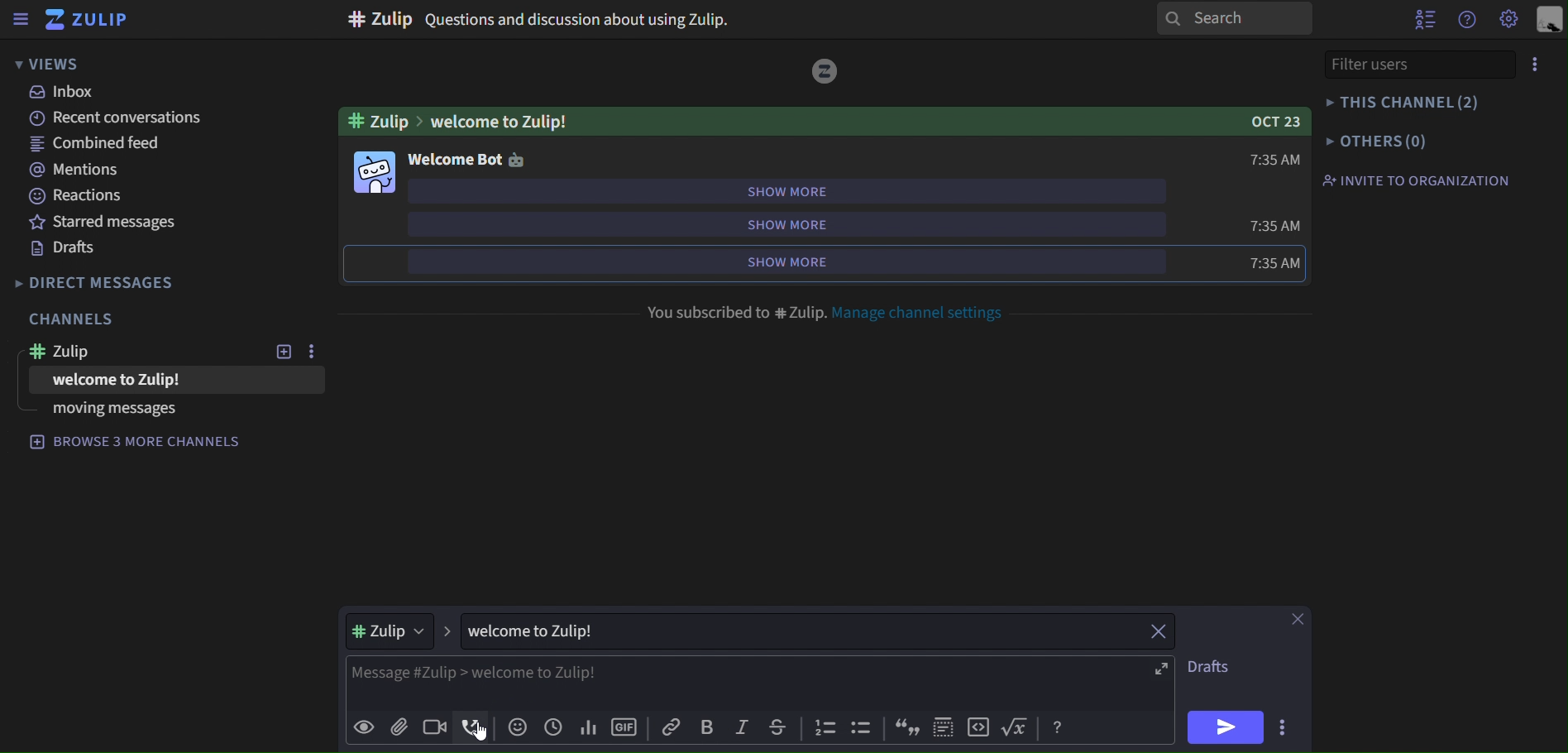 The width and height of the screenshot is (1568, 753). I want to click on icon, so click(978, 728).